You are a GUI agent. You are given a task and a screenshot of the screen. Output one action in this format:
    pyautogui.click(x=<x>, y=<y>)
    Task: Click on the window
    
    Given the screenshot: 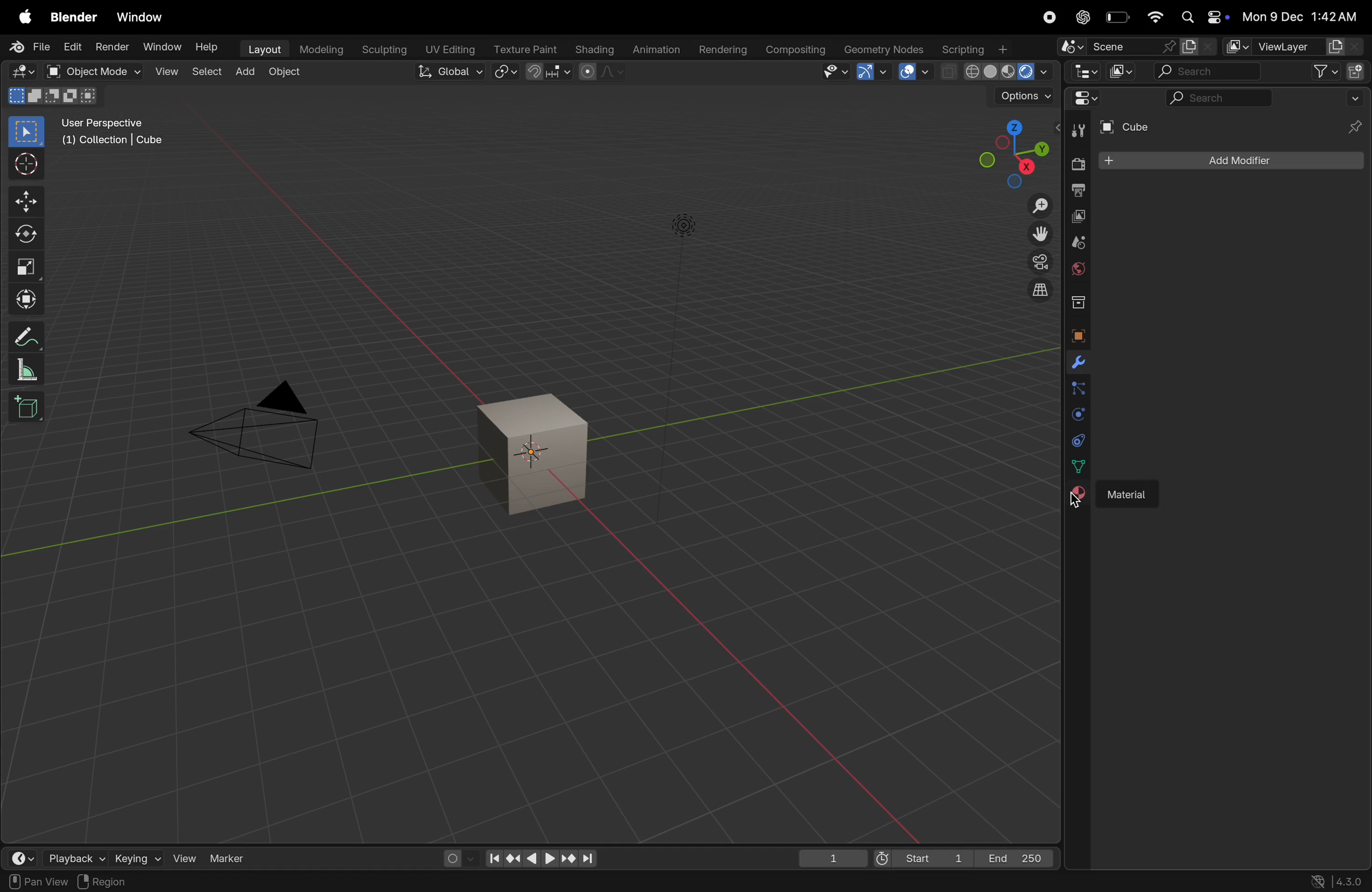 What is the action you would take?
    pyautogui.click(x=163, y=48)
    